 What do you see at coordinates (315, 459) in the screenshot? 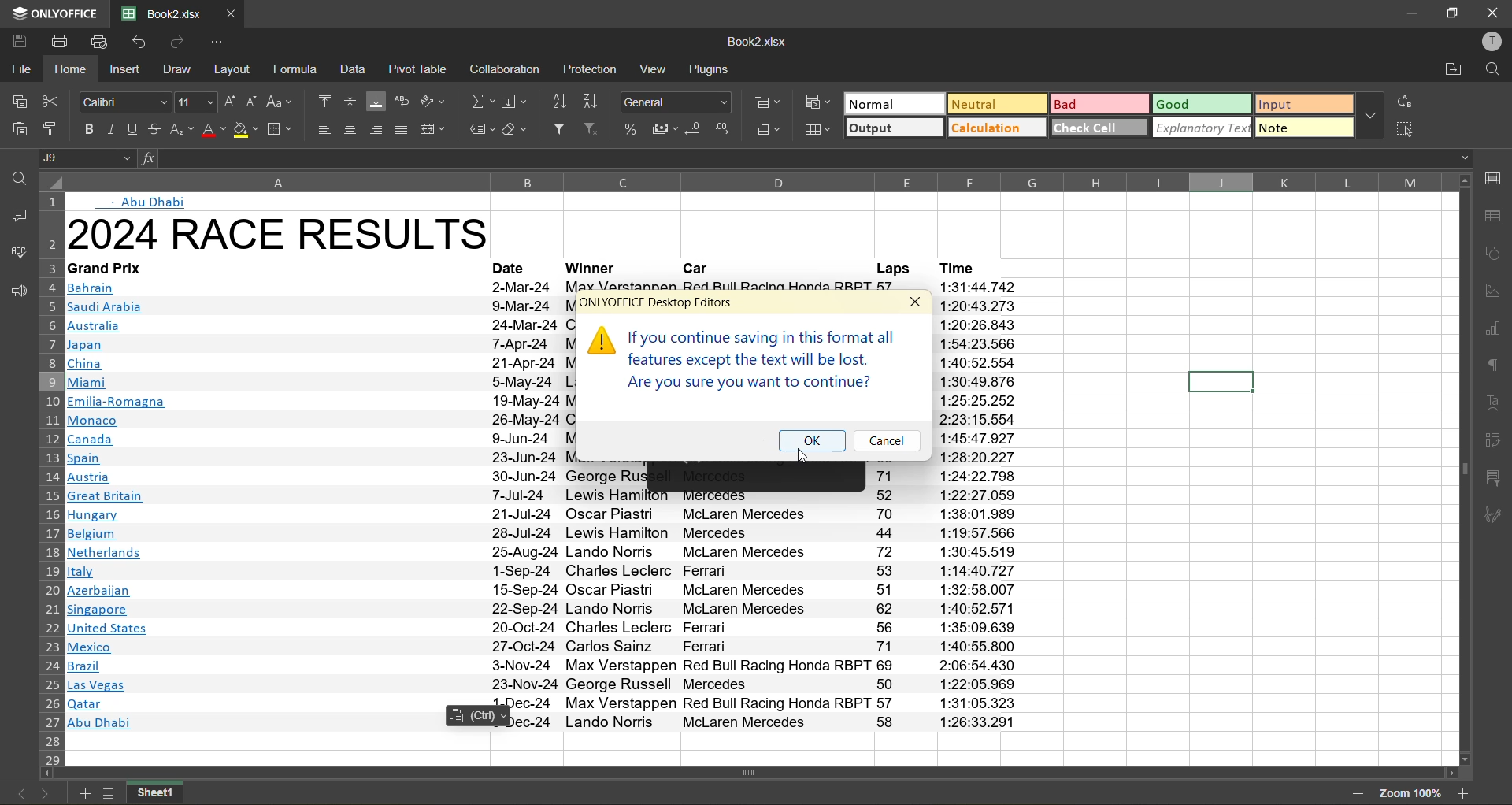
I see `text info` at bounding box center [315, 459].